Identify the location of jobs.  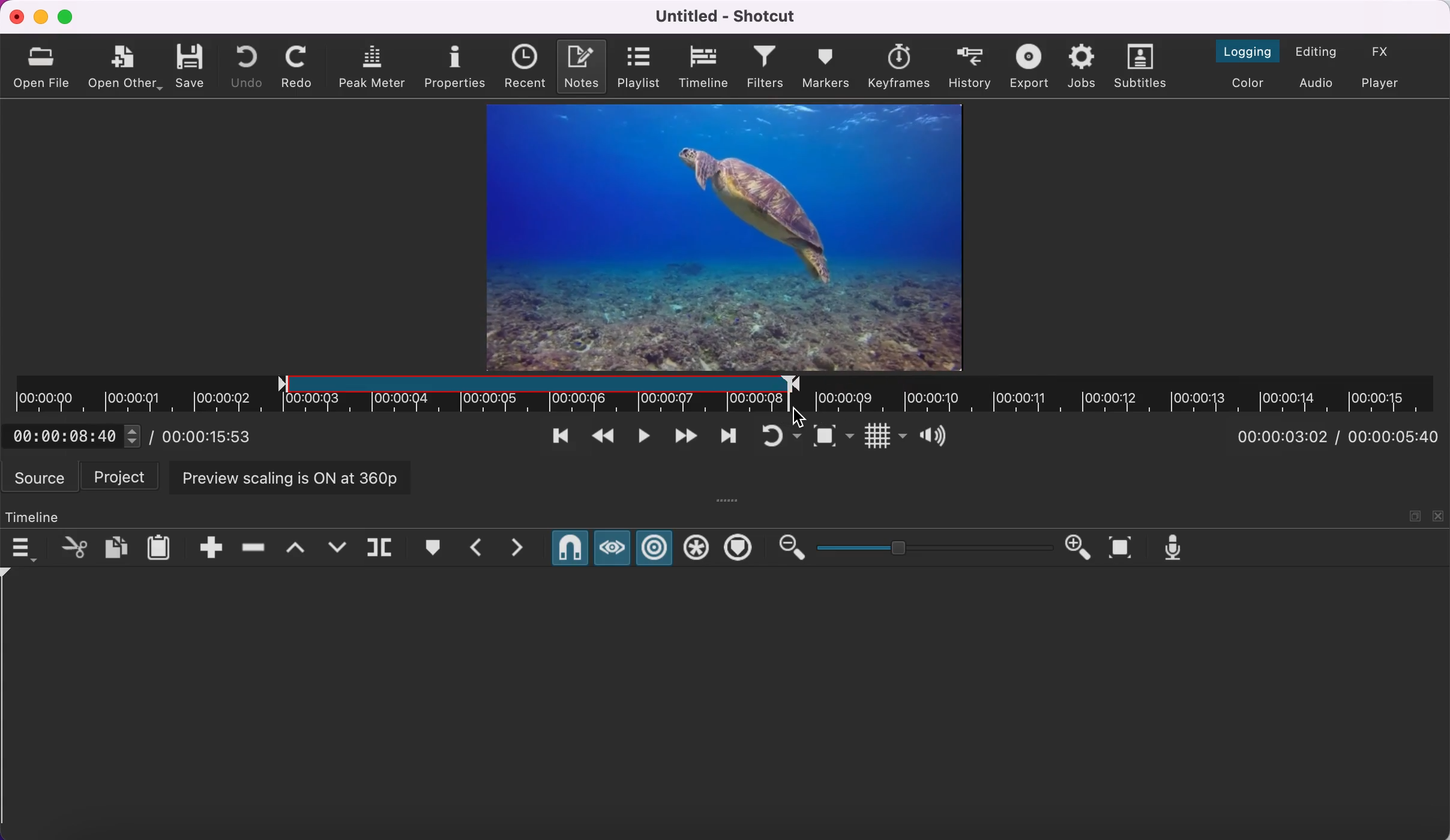
(1083, 67).